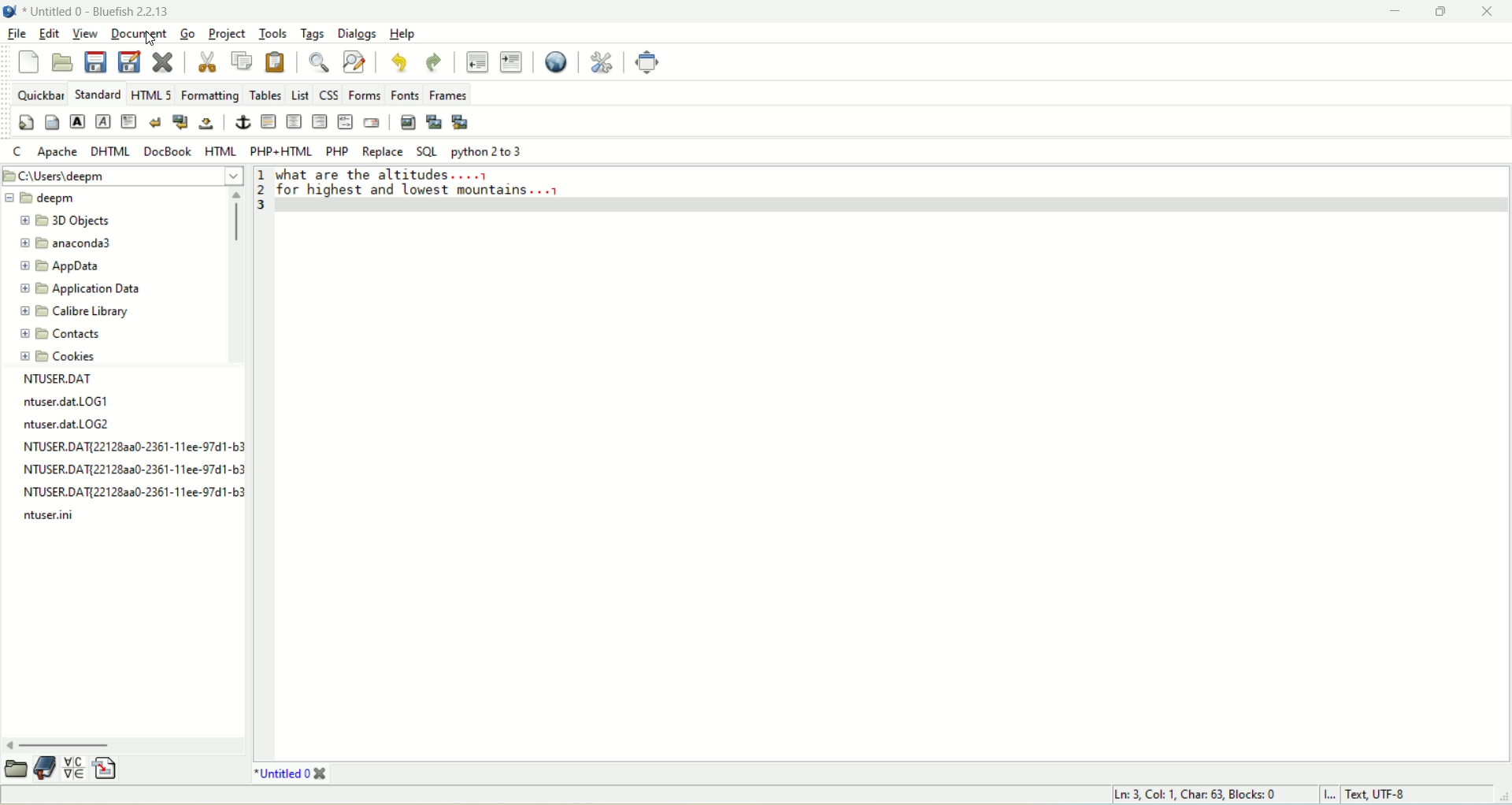 The image size is (1512, 805). What do you see at coordinates (432, 121) in the screenshot?
I see `insert thumbnail` at bounding box center [432, 121].